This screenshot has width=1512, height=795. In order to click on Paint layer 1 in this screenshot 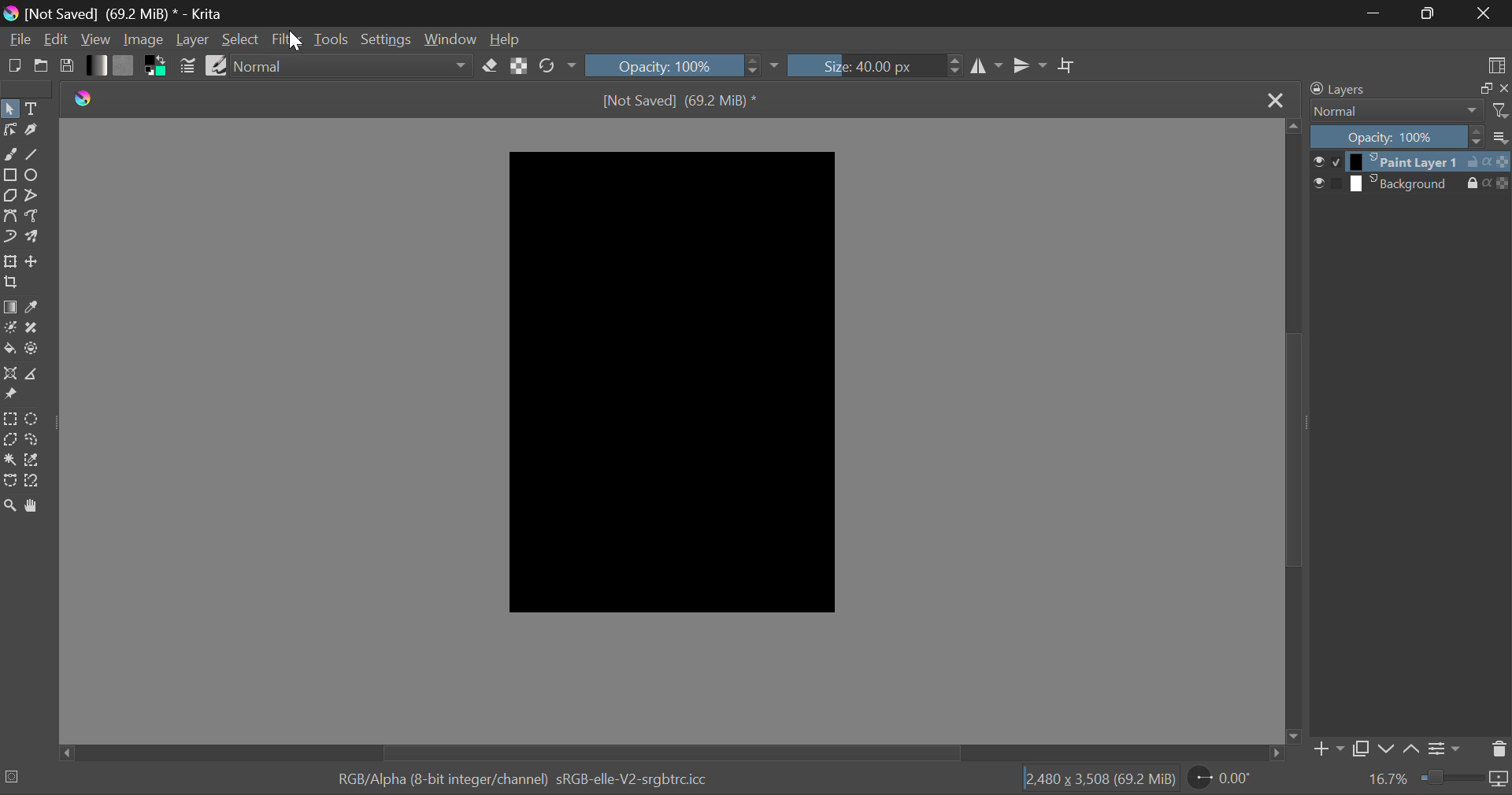, I will do `click(1401, 162)`.